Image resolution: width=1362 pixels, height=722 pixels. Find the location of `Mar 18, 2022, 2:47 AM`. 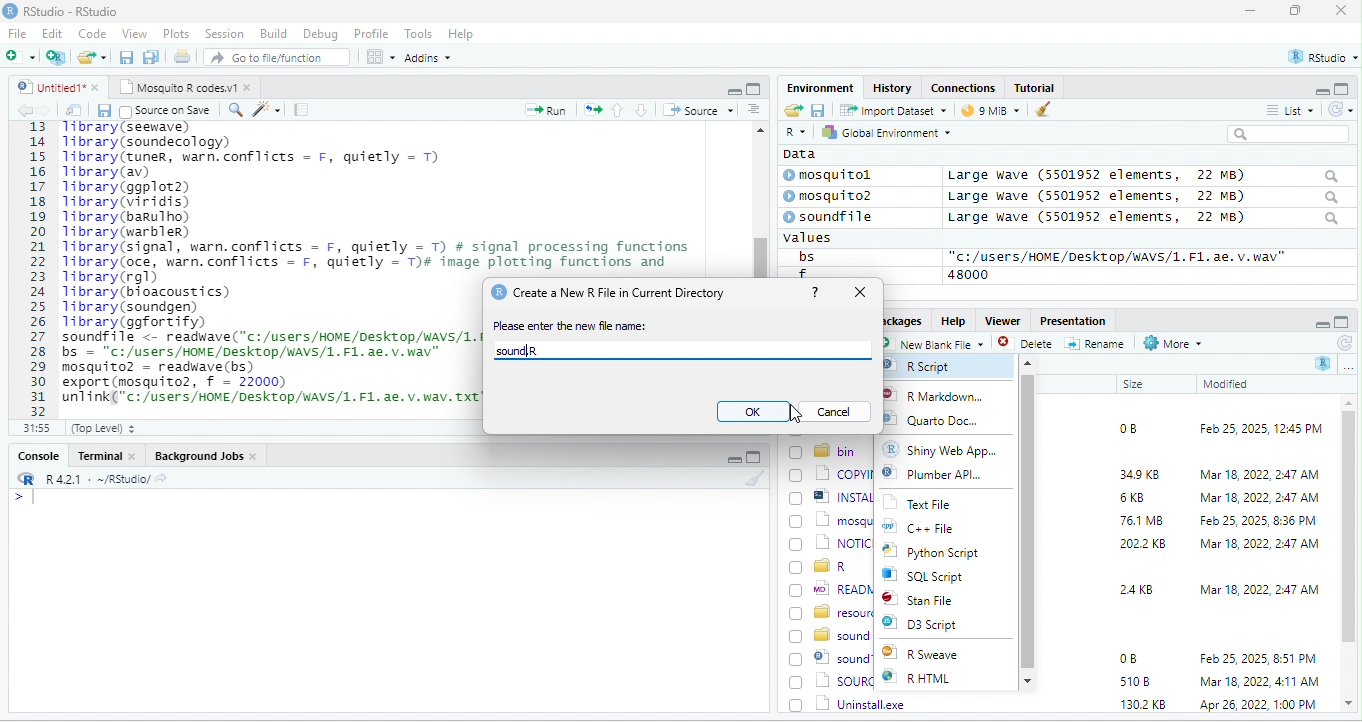

Mar 18, 2022, 2:47 AM is located at coordinates (1259, 588).